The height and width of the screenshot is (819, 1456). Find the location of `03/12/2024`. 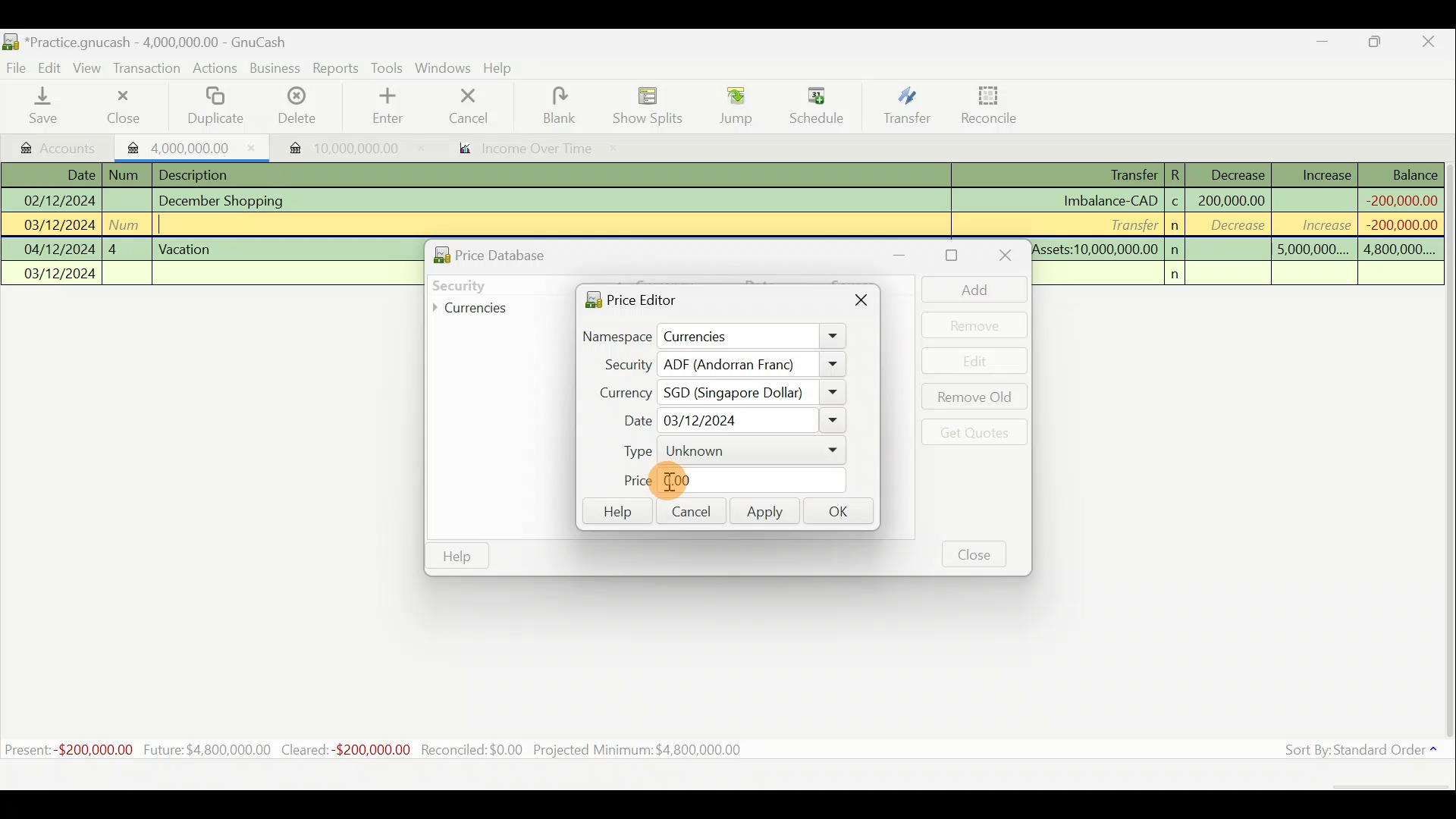

03/12/2024 is located at coordinates (60, 227).